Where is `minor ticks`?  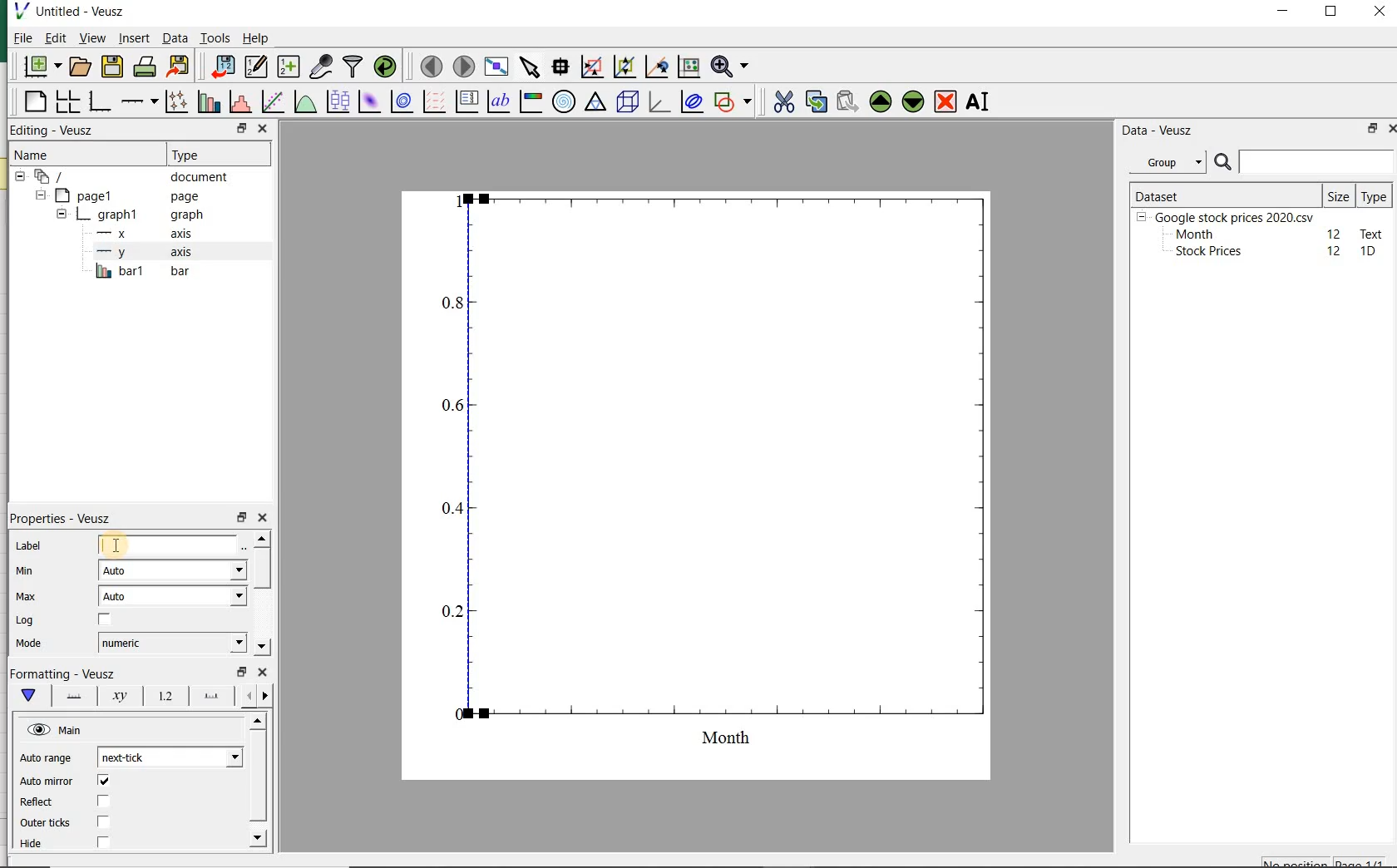 minor ticks is located at coordinates (255, 697).